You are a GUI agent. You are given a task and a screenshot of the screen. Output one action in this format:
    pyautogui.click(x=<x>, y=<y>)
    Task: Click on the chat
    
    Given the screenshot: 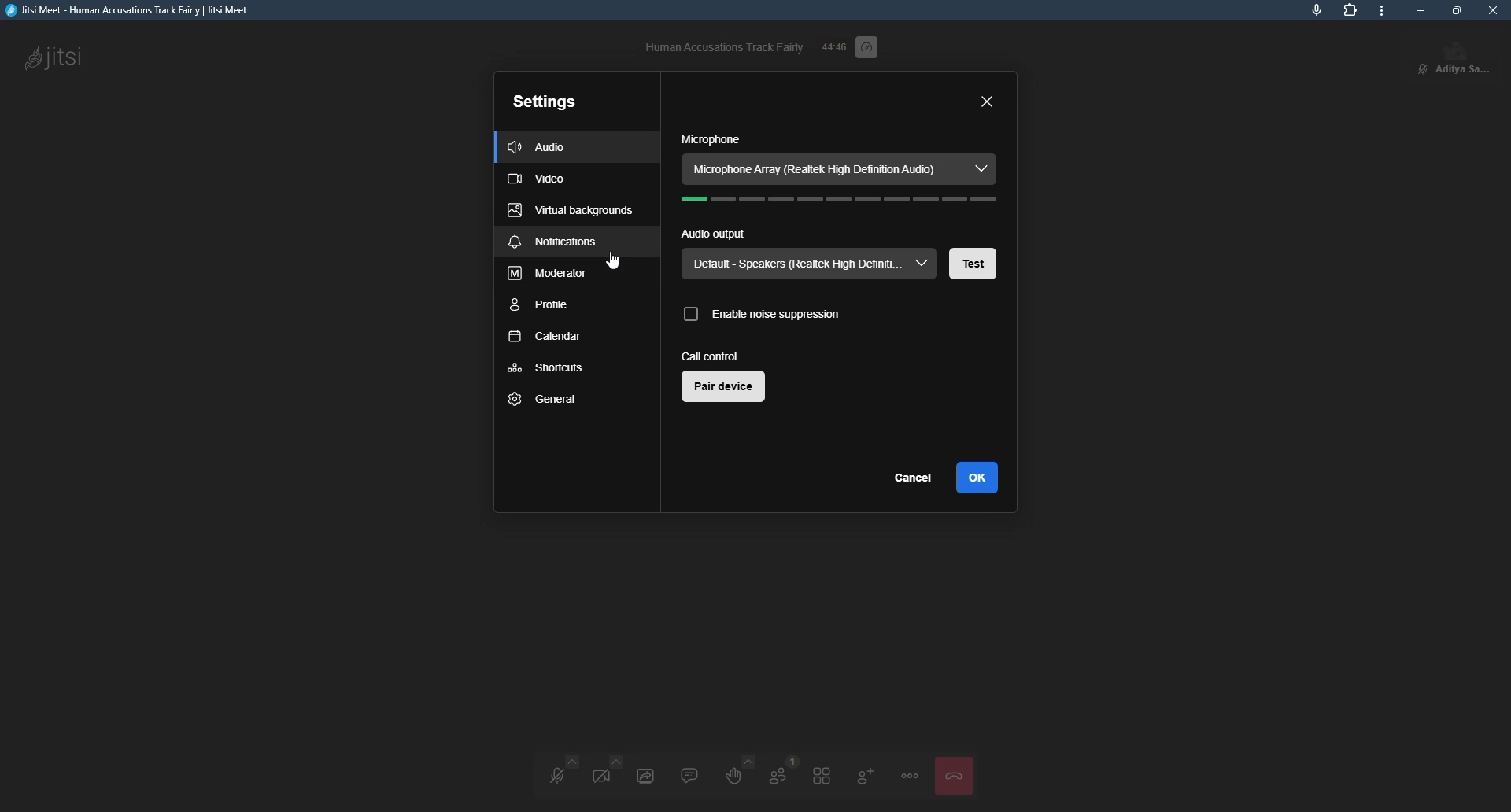 What is the action you would take?
    pyautogui.click(x=686, y=773)
    